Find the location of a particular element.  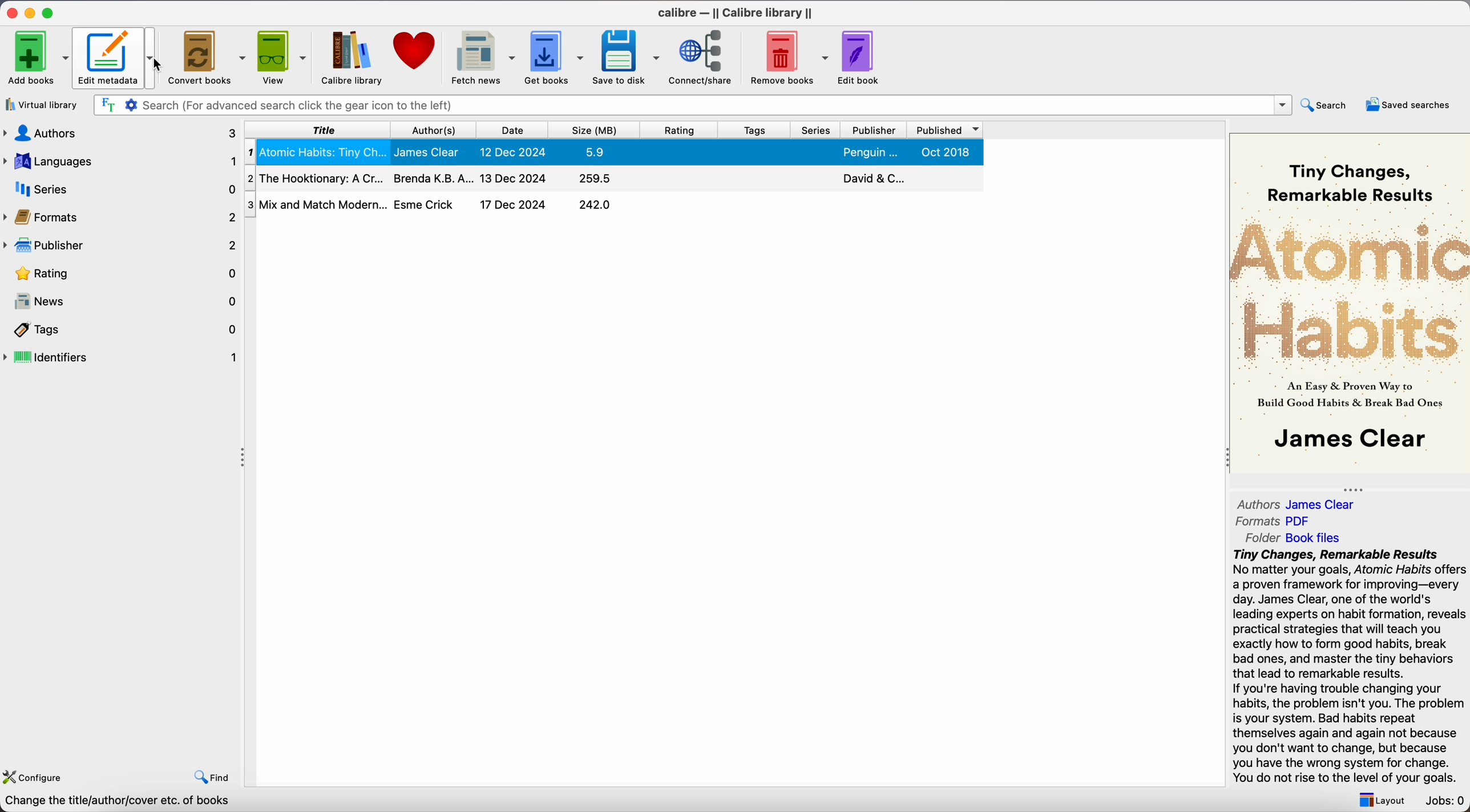

David & C... is located at coordinates (871, 178).